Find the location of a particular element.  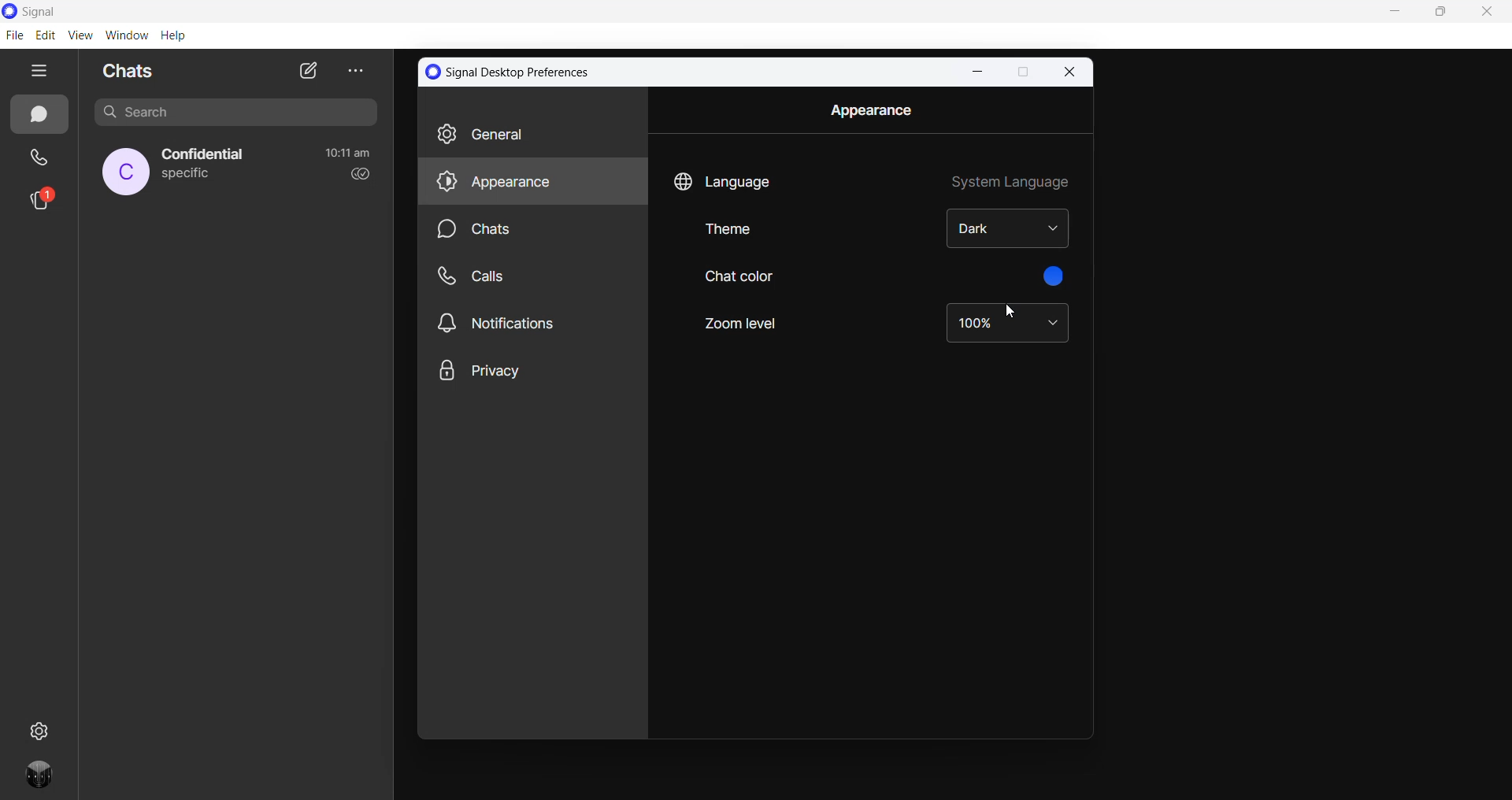

minimize is located at coordinates (1398, 13).